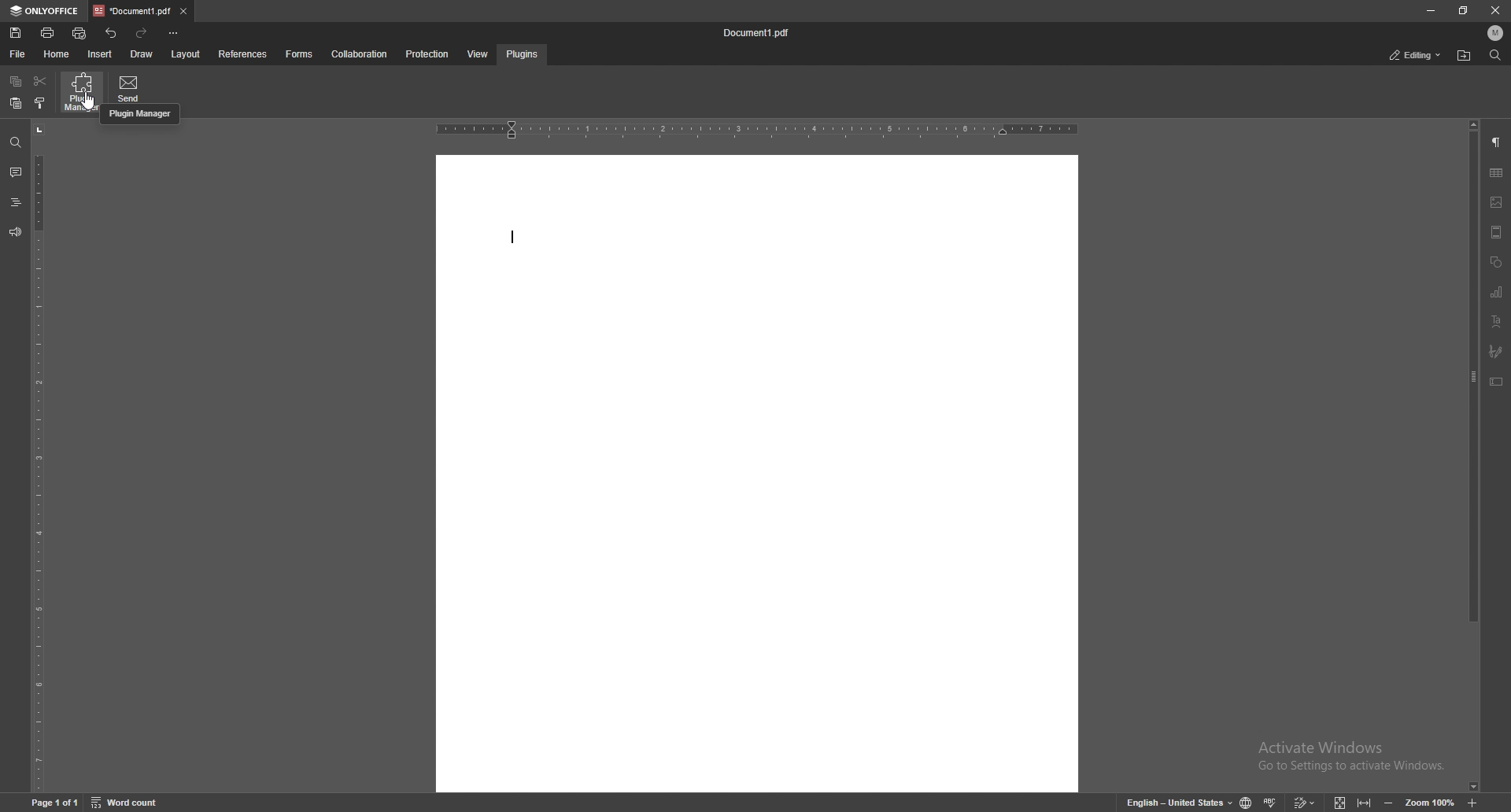 This screenshot has width=1511, height=812. What do you see at coordinates (142, 35) in the screenshot?
I see `redo` at bounding box center [142, 35].